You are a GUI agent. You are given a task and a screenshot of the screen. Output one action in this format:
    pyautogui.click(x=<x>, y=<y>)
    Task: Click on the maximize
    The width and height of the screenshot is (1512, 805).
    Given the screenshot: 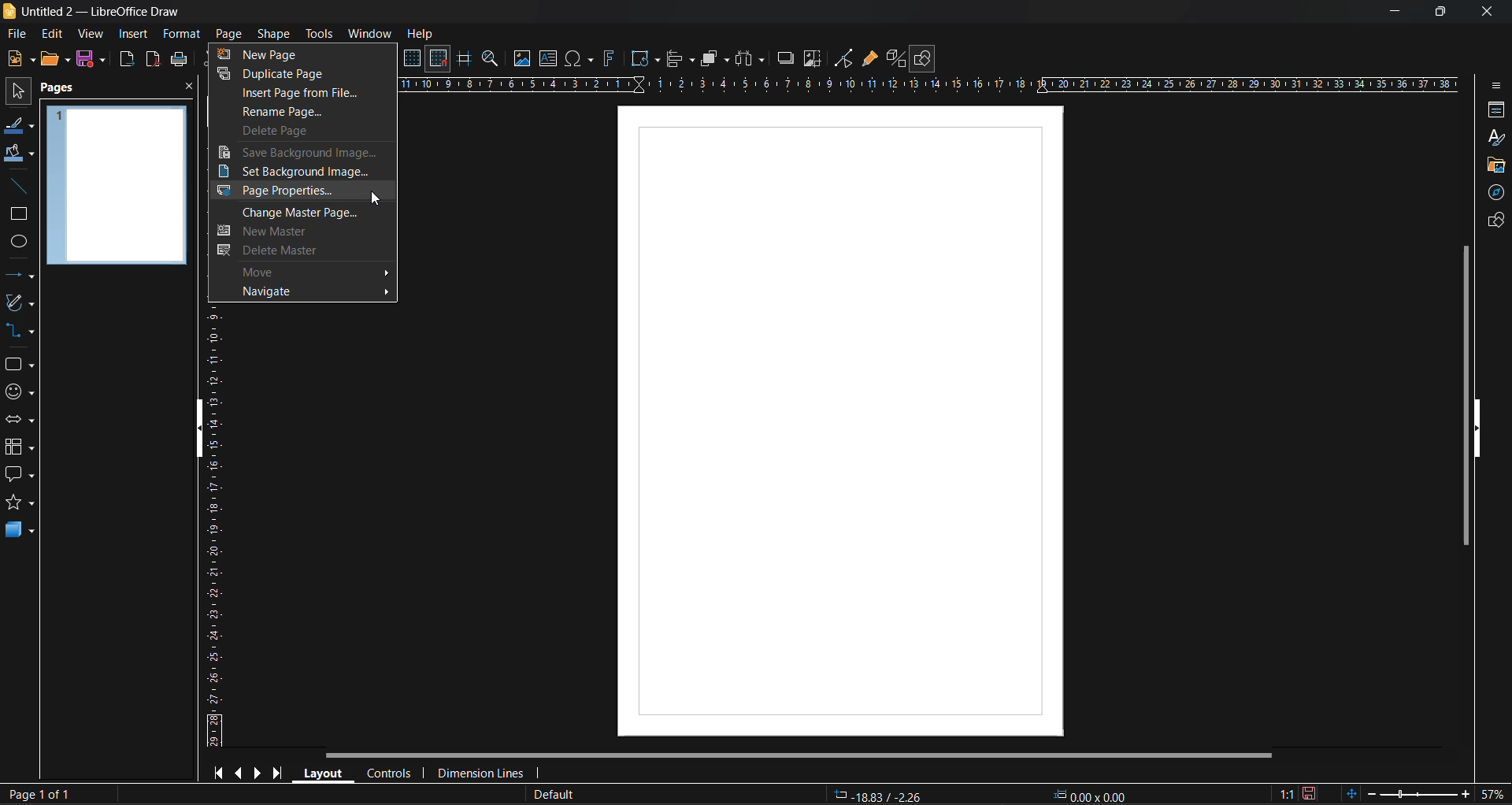 What is the action you would take?
    pyautogui.click(x=1436, y=13)
    